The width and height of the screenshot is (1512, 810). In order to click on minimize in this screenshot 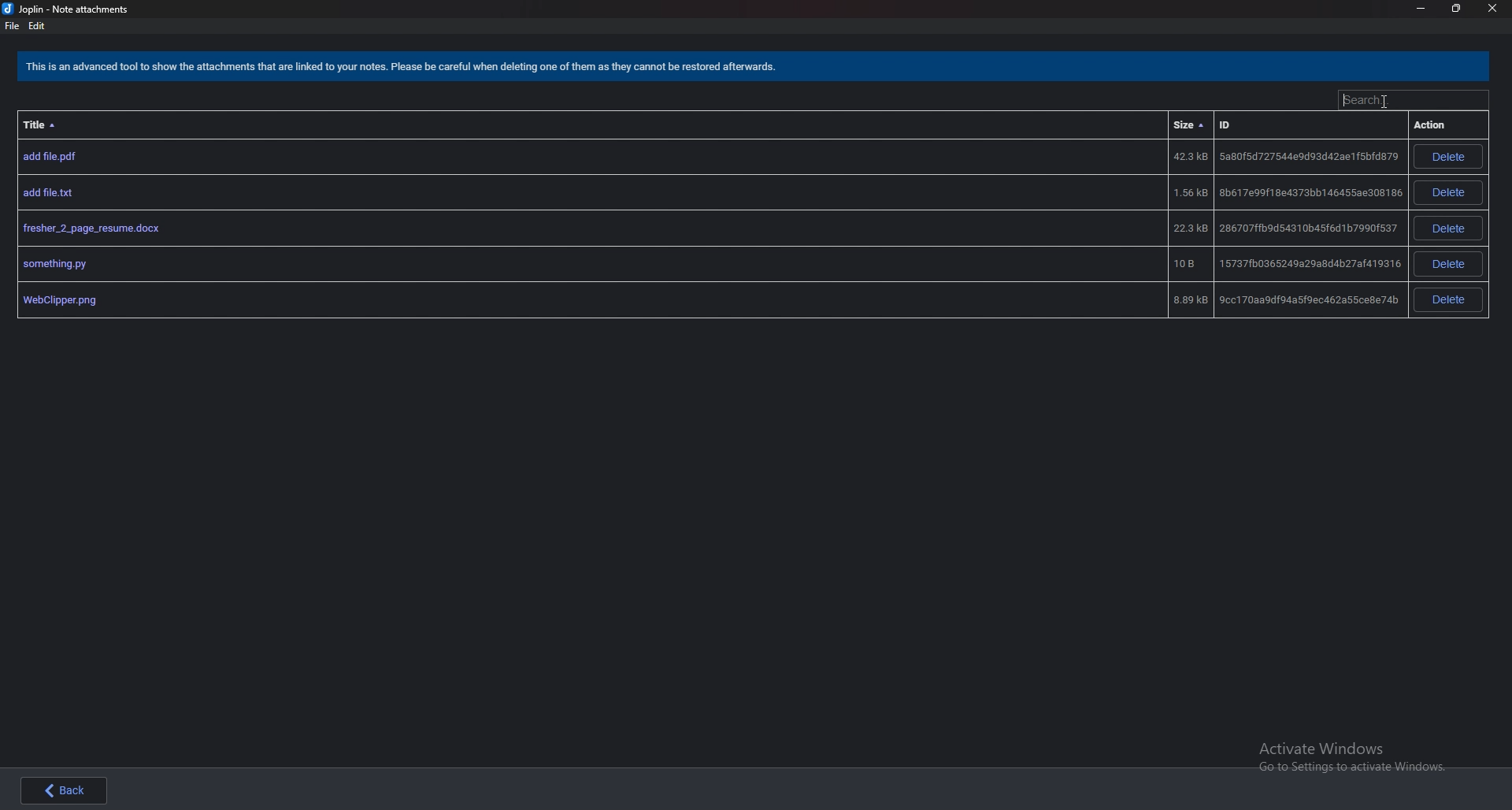, I will do `click(1421, 9)`.